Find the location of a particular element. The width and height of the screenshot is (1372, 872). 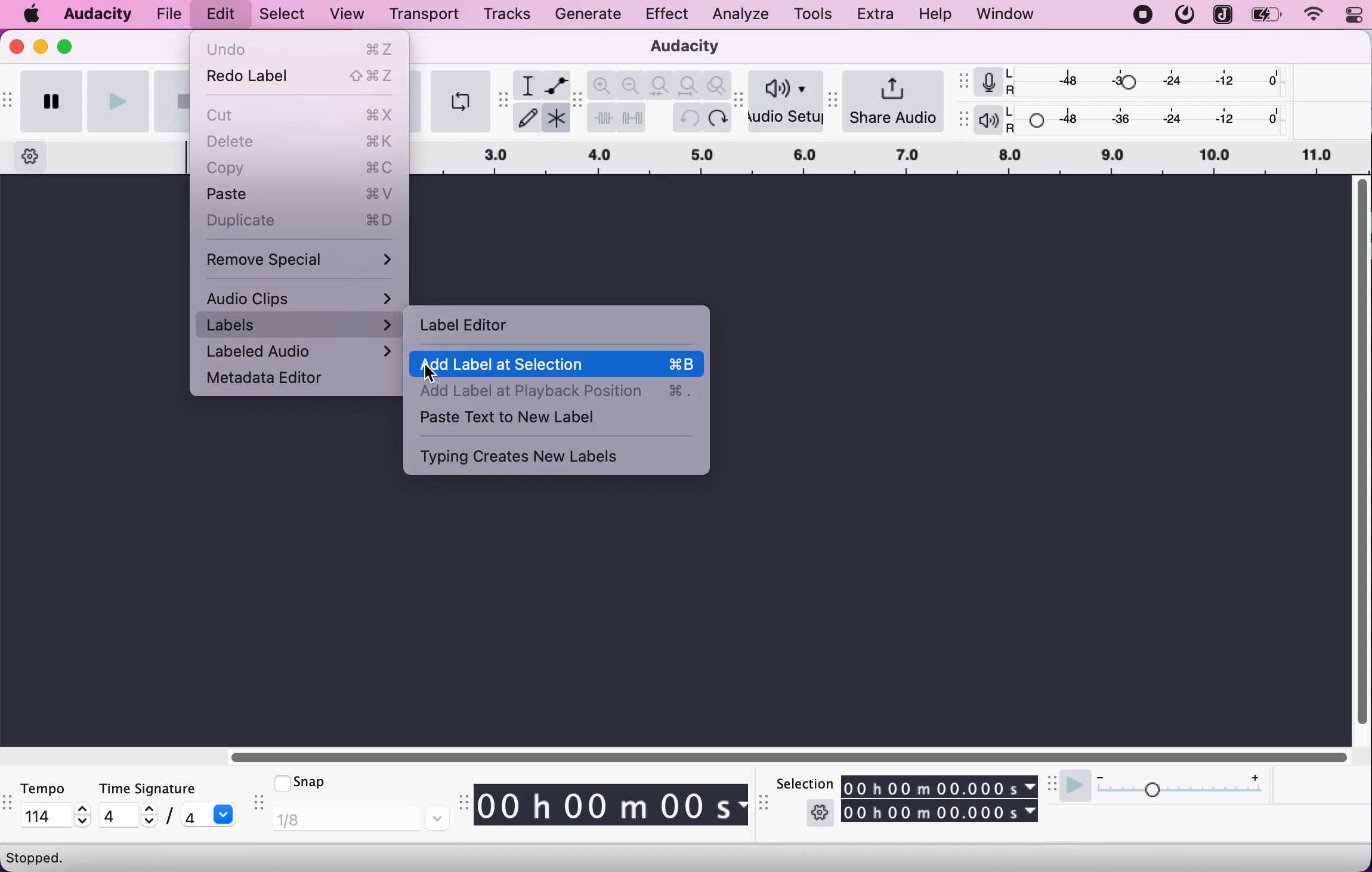

checkmark is located at coordinates (280, 782).